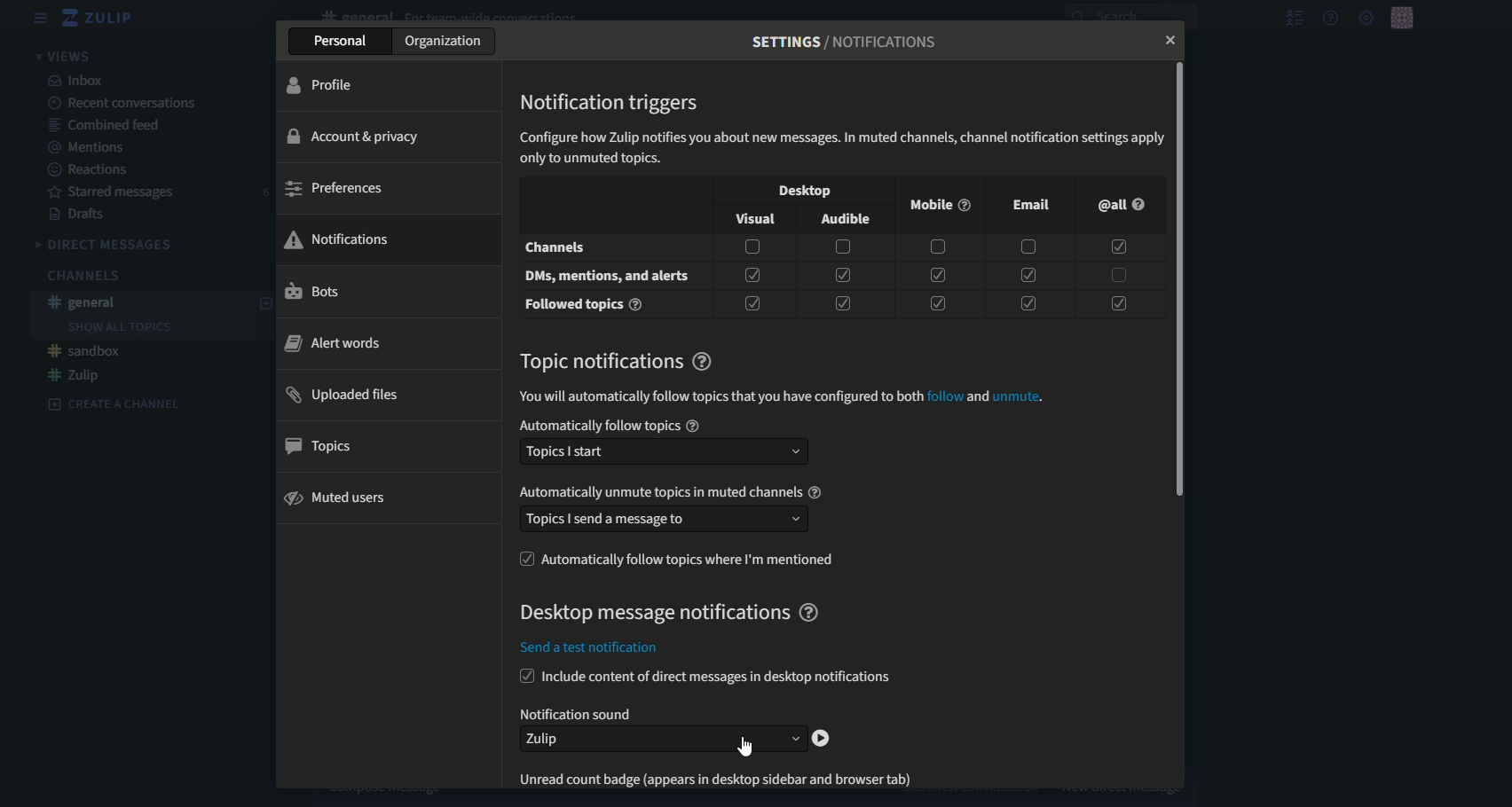 This screenshot has height=807, width=1512. Describe the element at coordinates (752, 247) in the screenshot. I see `check box` at that location.